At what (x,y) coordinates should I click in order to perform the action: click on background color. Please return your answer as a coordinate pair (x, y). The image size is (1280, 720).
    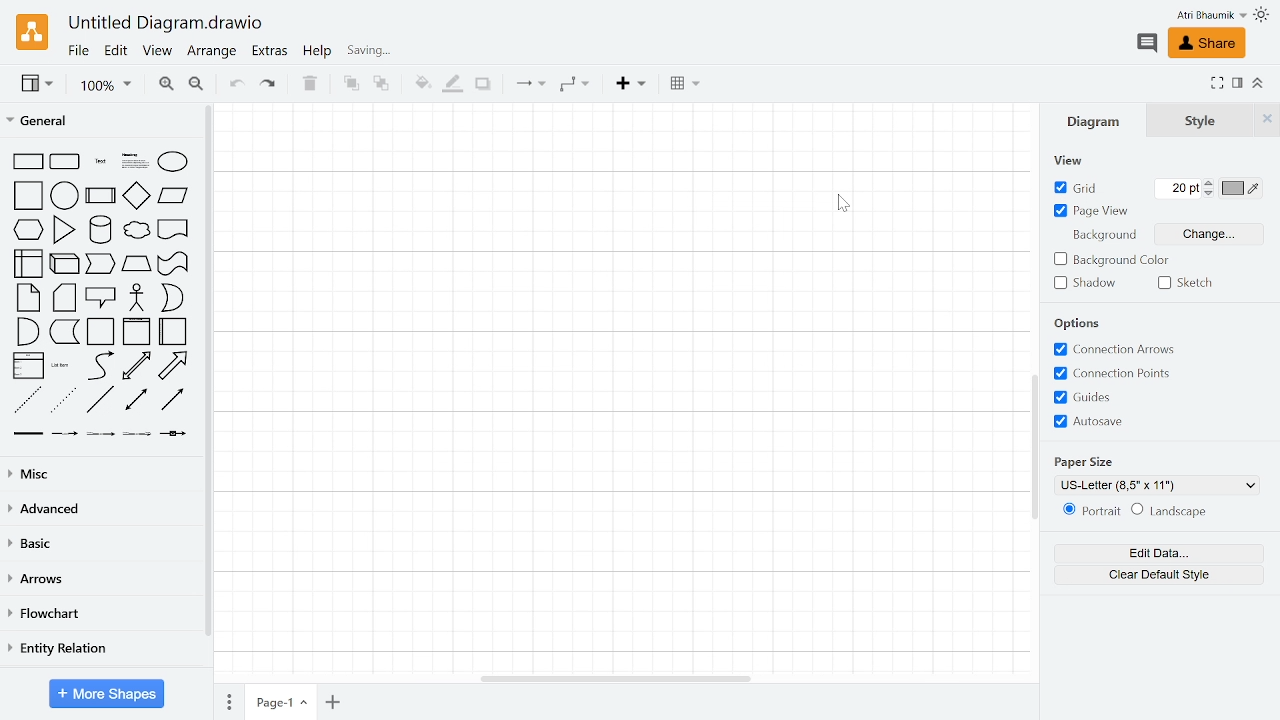
    Looking at the image, I should click on (1114, 260).